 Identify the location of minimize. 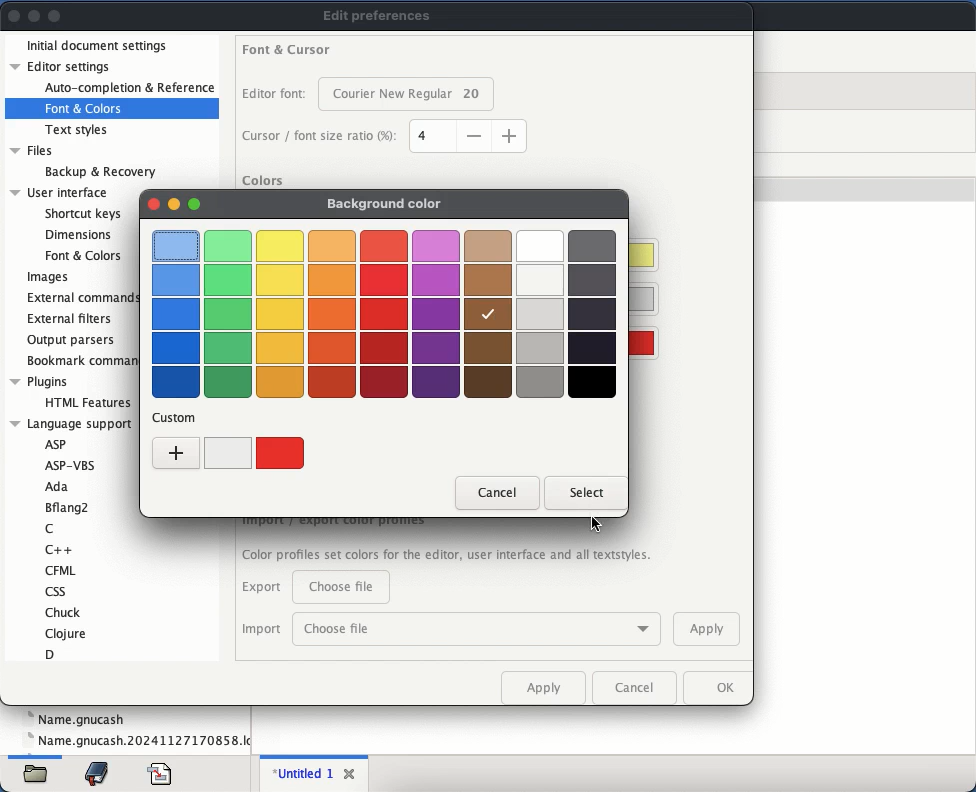
(34, 15).